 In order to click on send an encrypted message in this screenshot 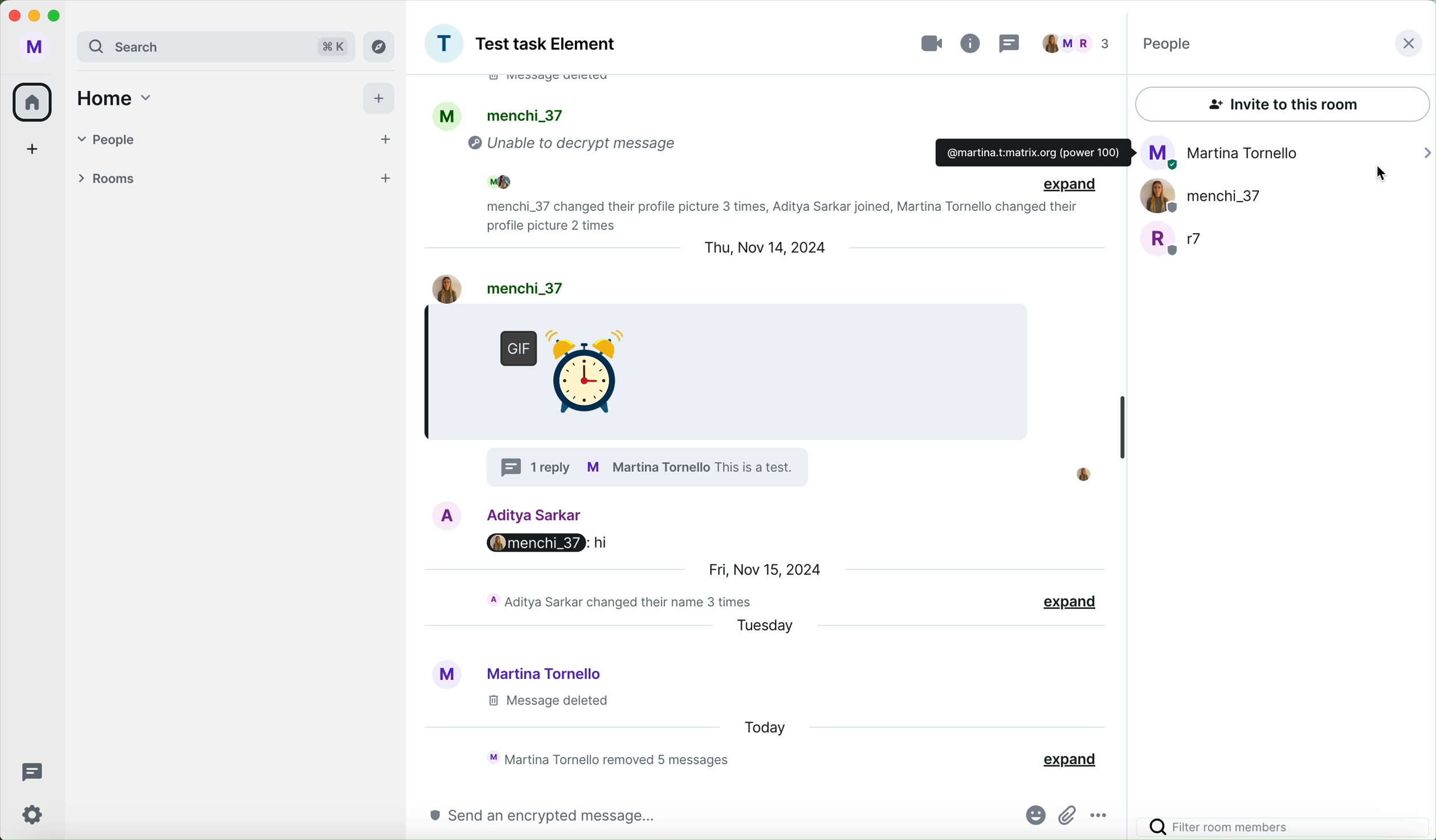, I will do `click(534, 816)`.